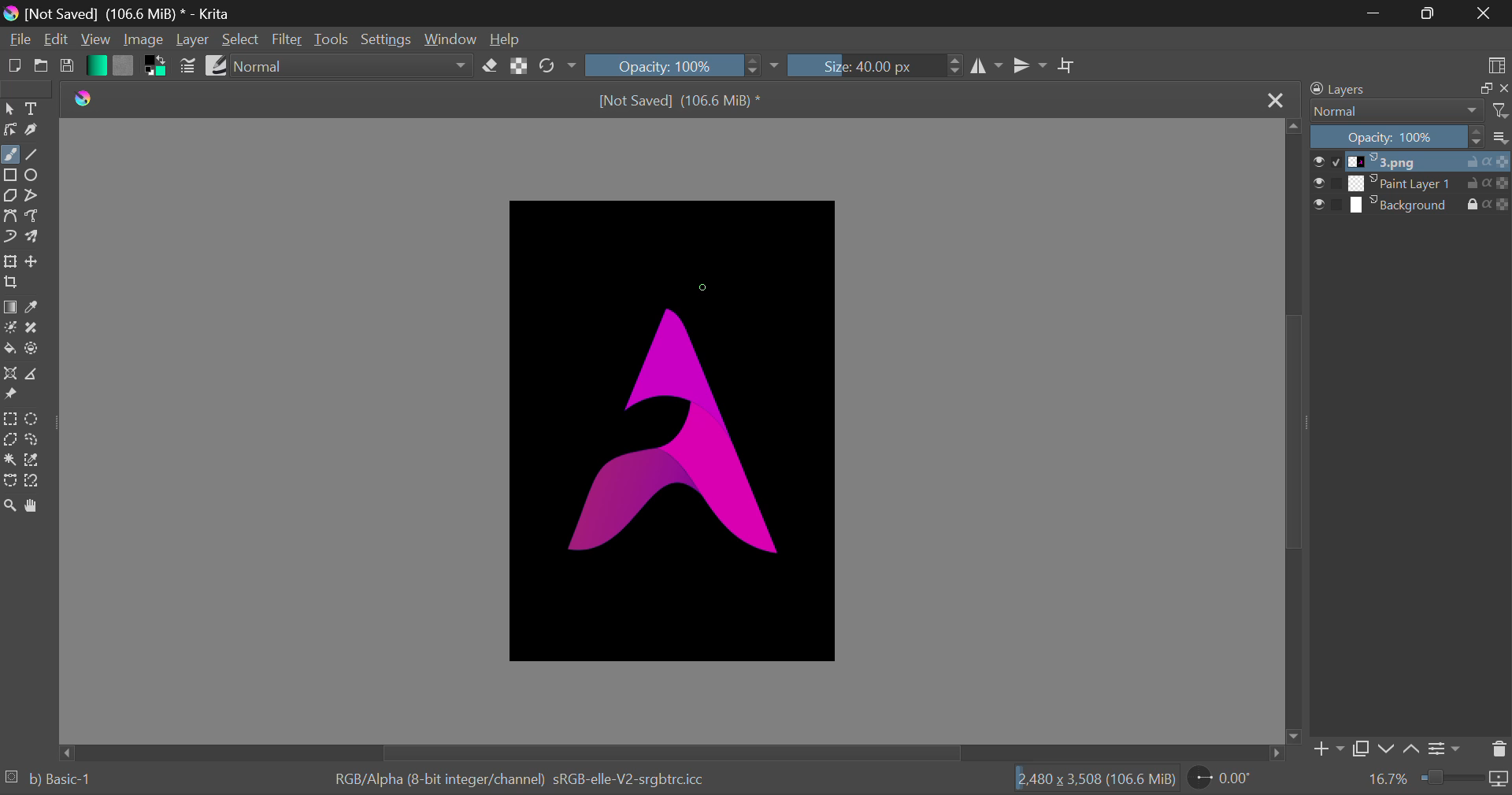 The height and width of the screenshot is (795, 1512). I want to click on Similar Color Selector, so click(36, 460).